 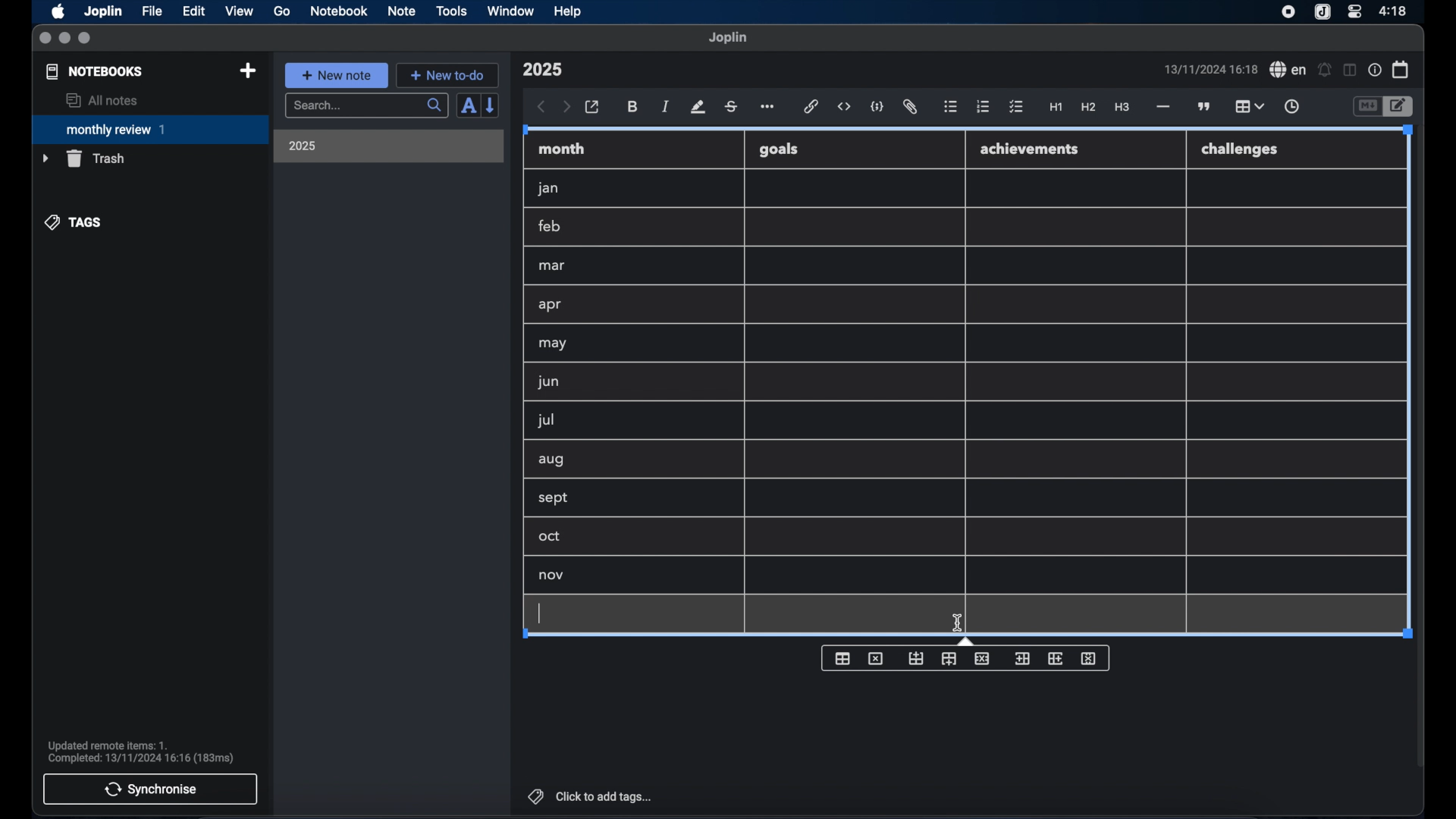 What do you see at coordinates (811, 106) in the screenshot?
I see `hyperlink` at bounding box center [811, 106].